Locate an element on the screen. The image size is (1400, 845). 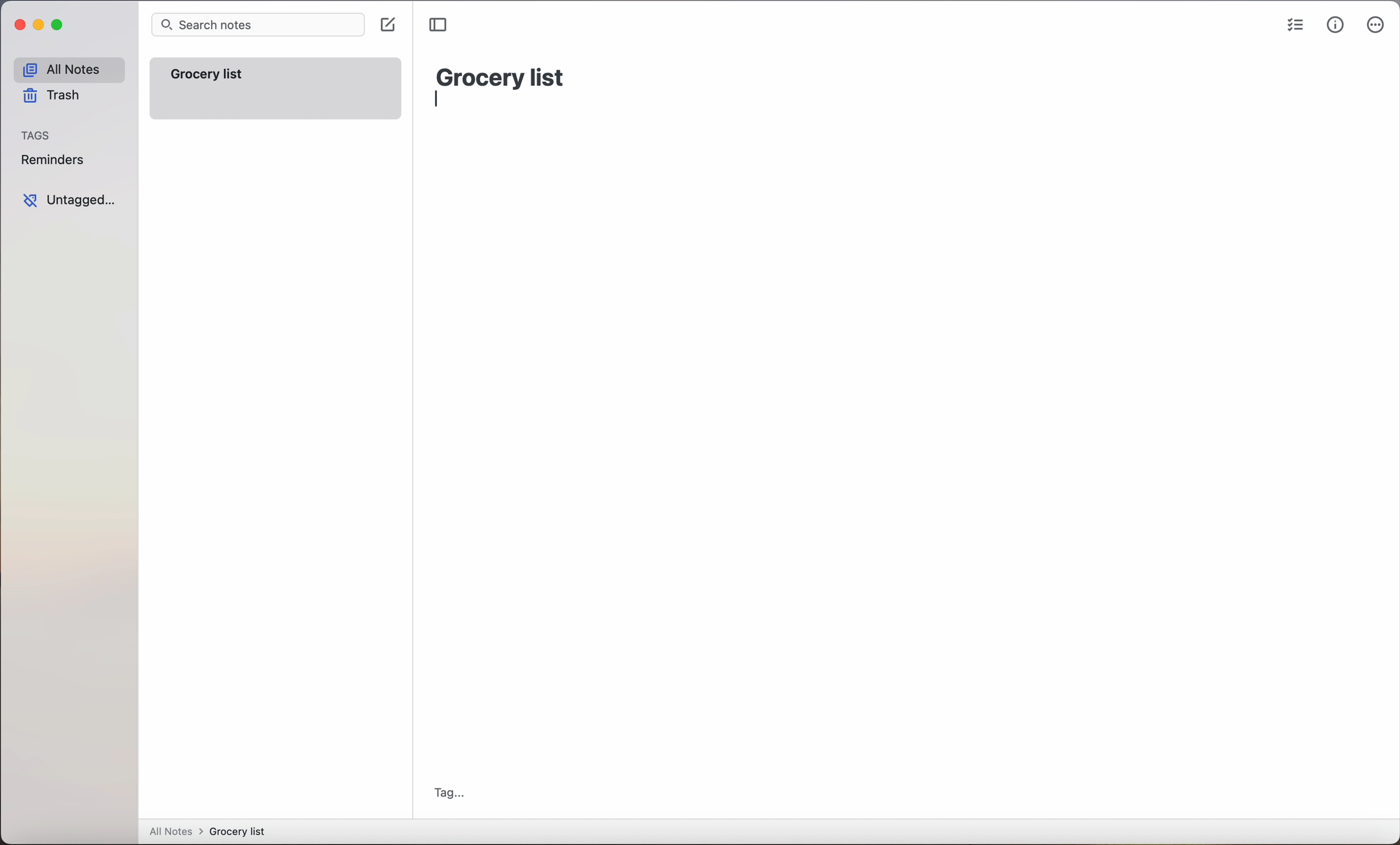
tag is located at coordinates (449, 793).